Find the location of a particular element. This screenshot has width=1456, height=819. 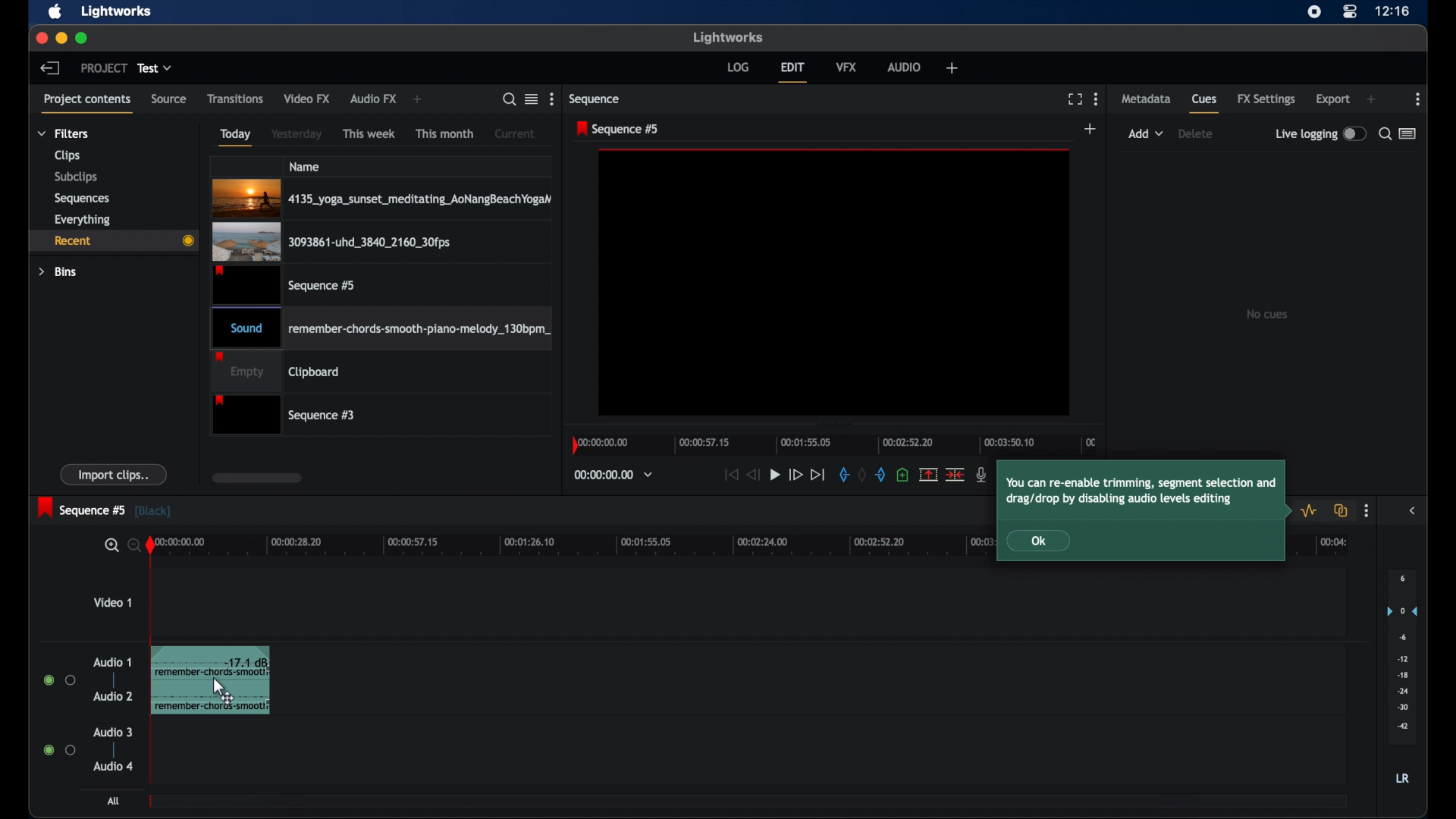

cues is located at coordinates (1206, 105).